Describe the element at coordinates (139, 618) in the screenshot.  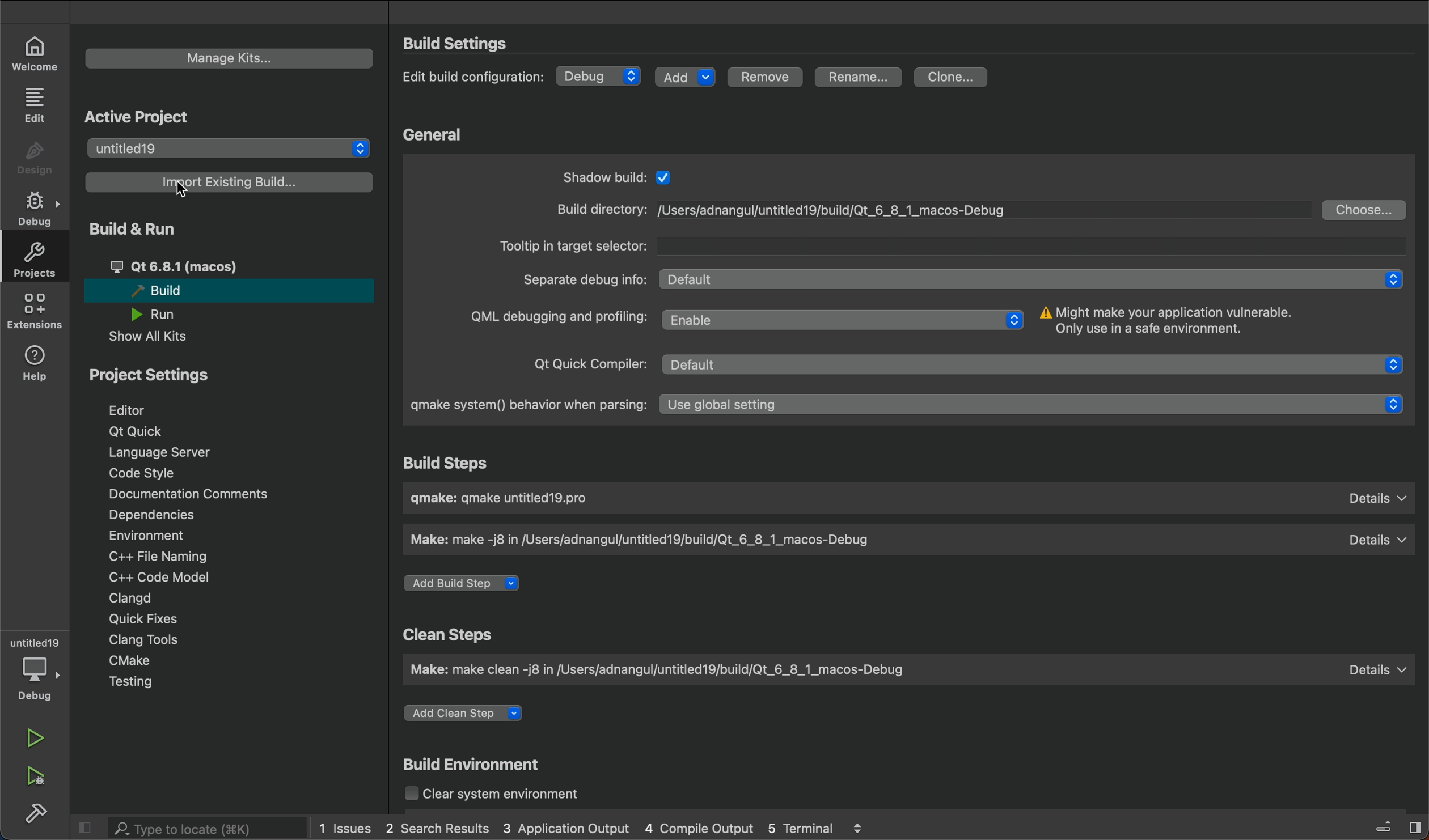
I see `quick fixes` at that location.